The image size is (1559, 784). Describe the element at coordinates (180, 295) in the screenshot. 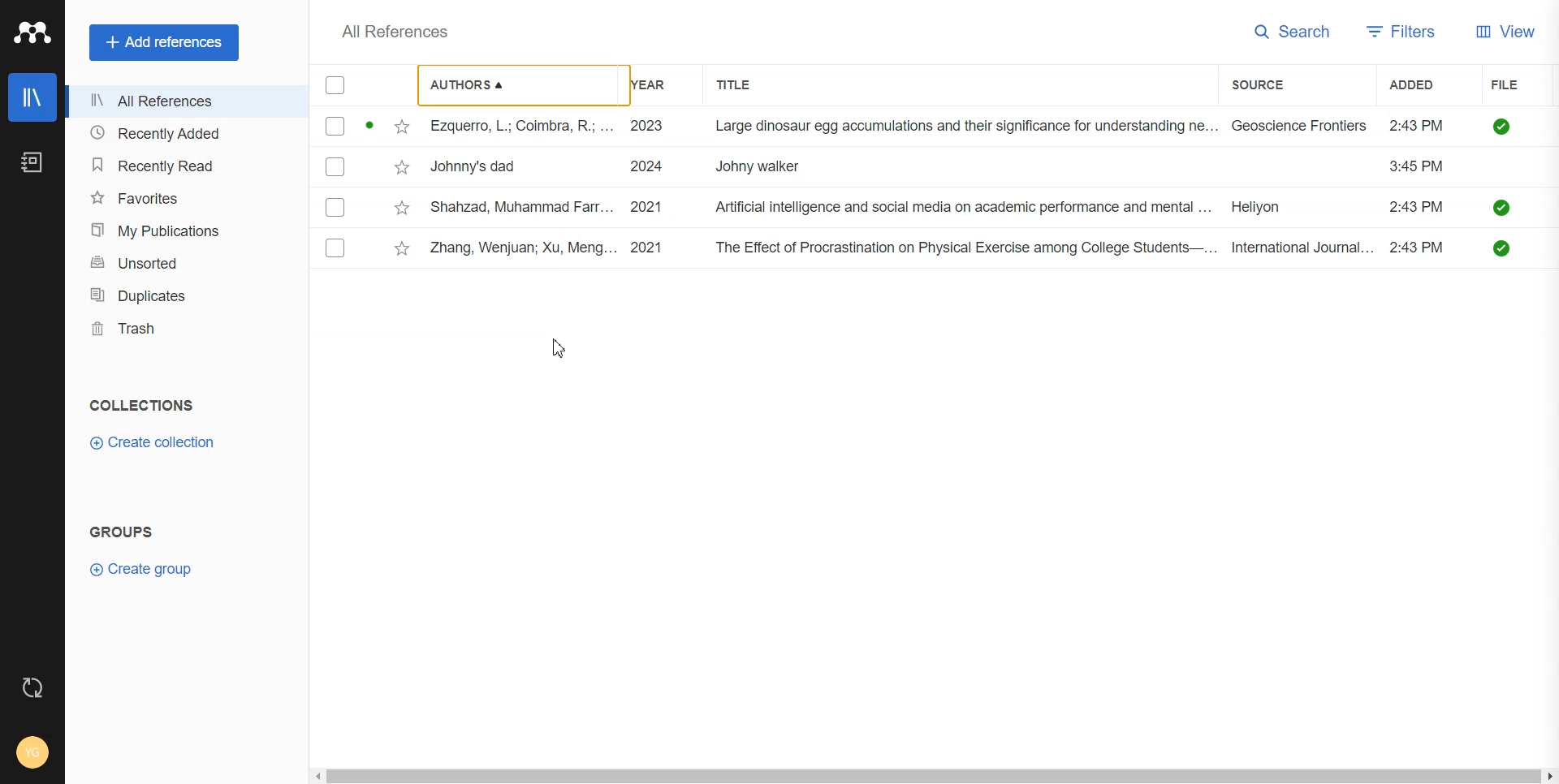

I see `Duplicates` at that location.